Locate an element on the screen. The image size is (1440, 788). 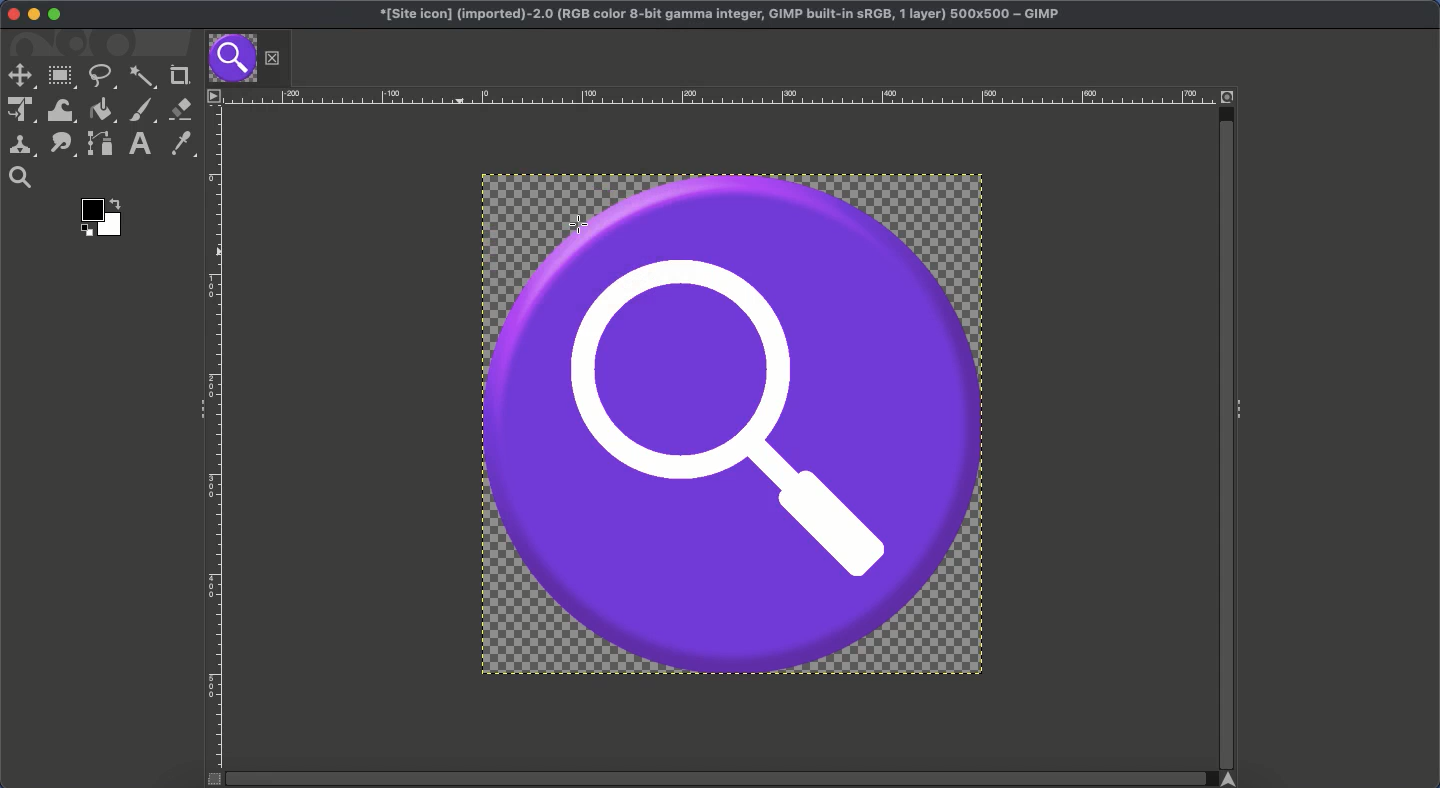
Text is located at coordinates (139, 144).